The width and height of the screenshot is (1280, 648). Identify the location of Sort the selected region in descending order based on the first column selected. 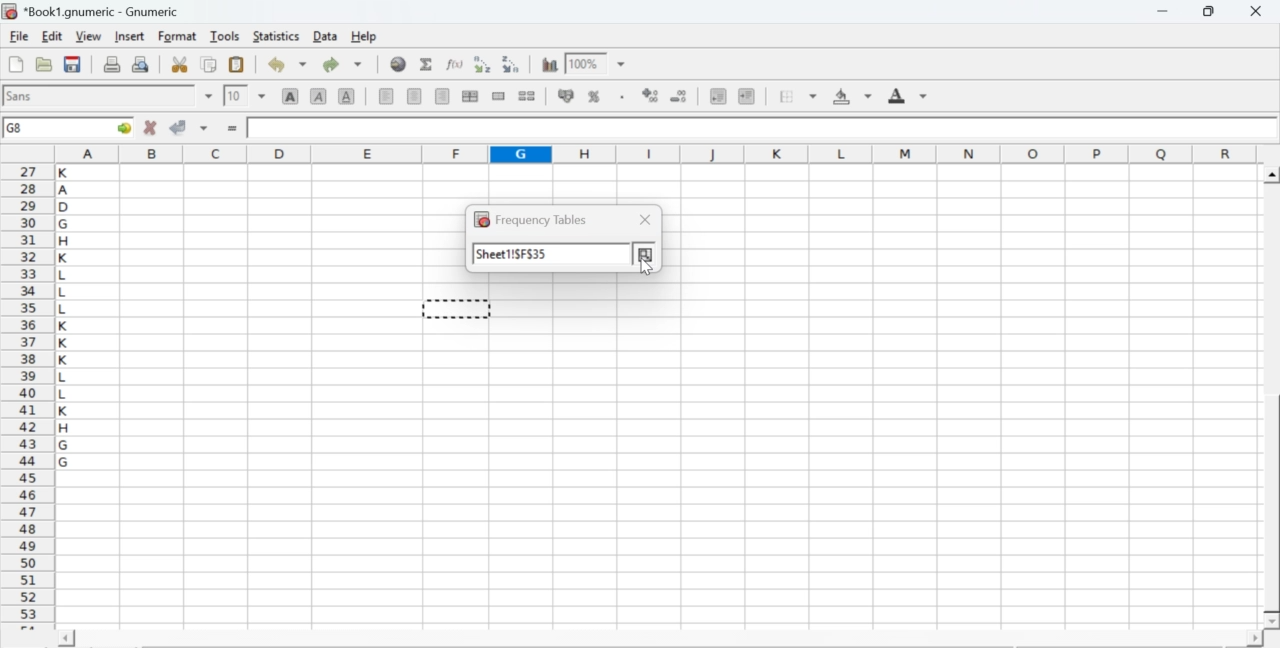
(512, 62).